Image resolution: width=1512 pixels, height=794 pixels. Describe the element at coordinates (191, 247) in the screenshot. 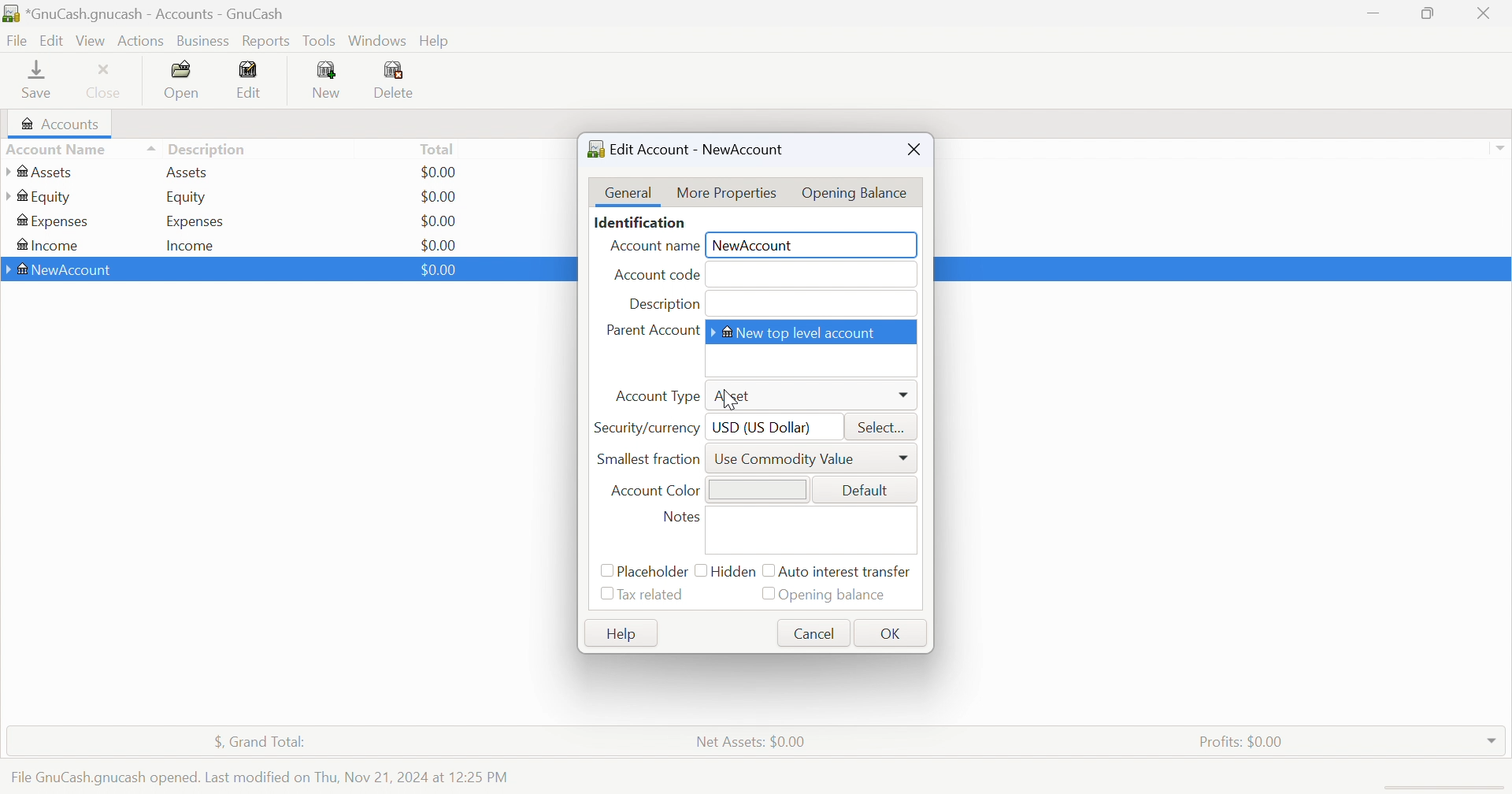

I see `Income` at that location.